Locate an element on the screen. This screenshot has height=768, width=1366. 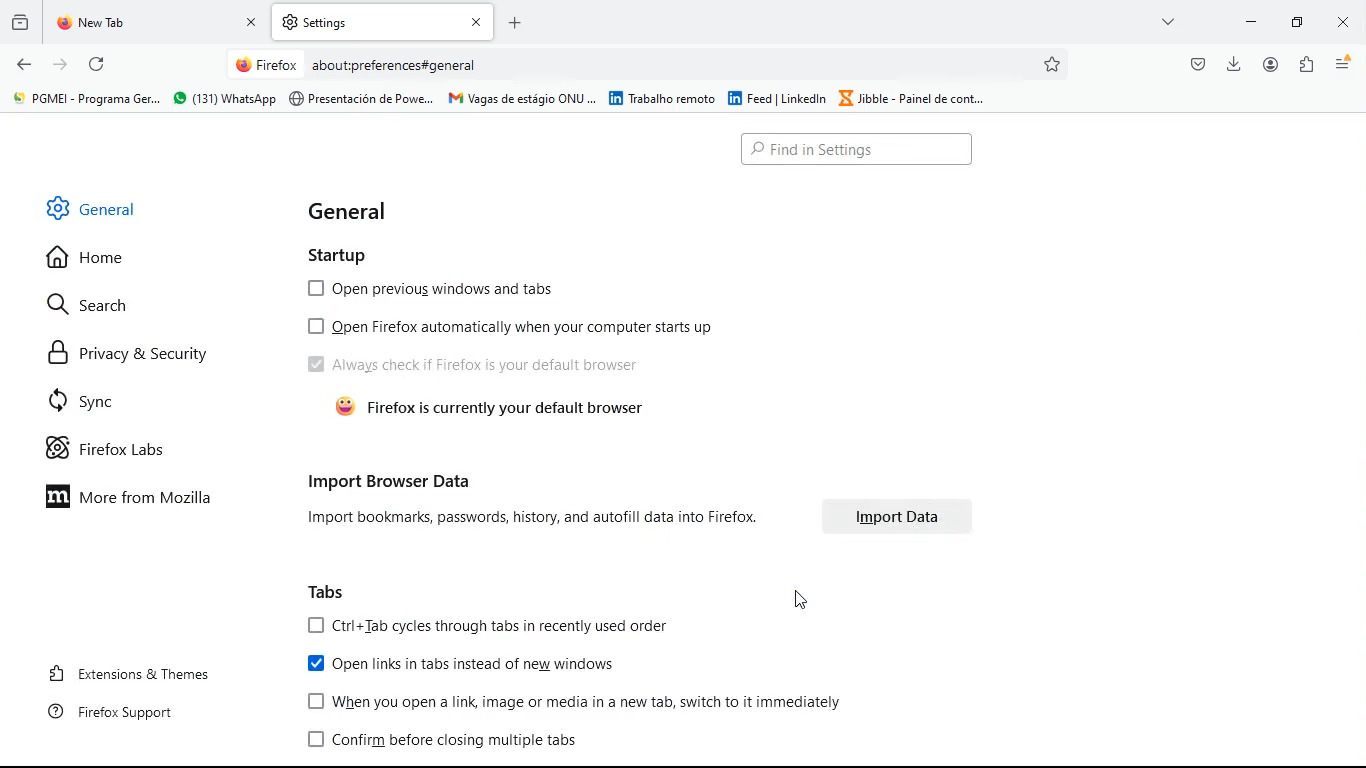
Add new tab is located at coordinates (515, 23).